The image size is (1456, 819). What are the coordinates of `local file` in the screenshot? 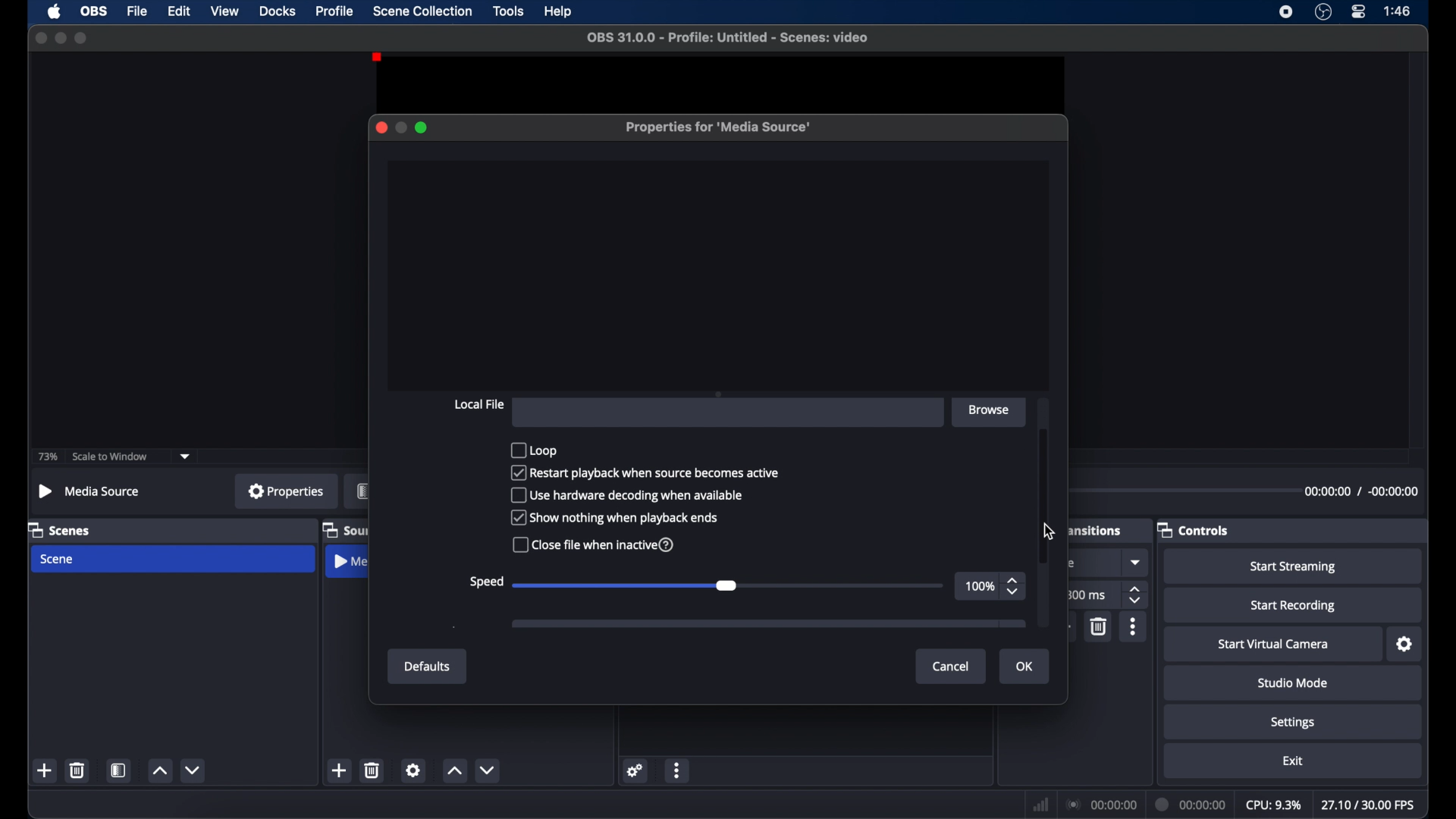 It's located at (479, 405).